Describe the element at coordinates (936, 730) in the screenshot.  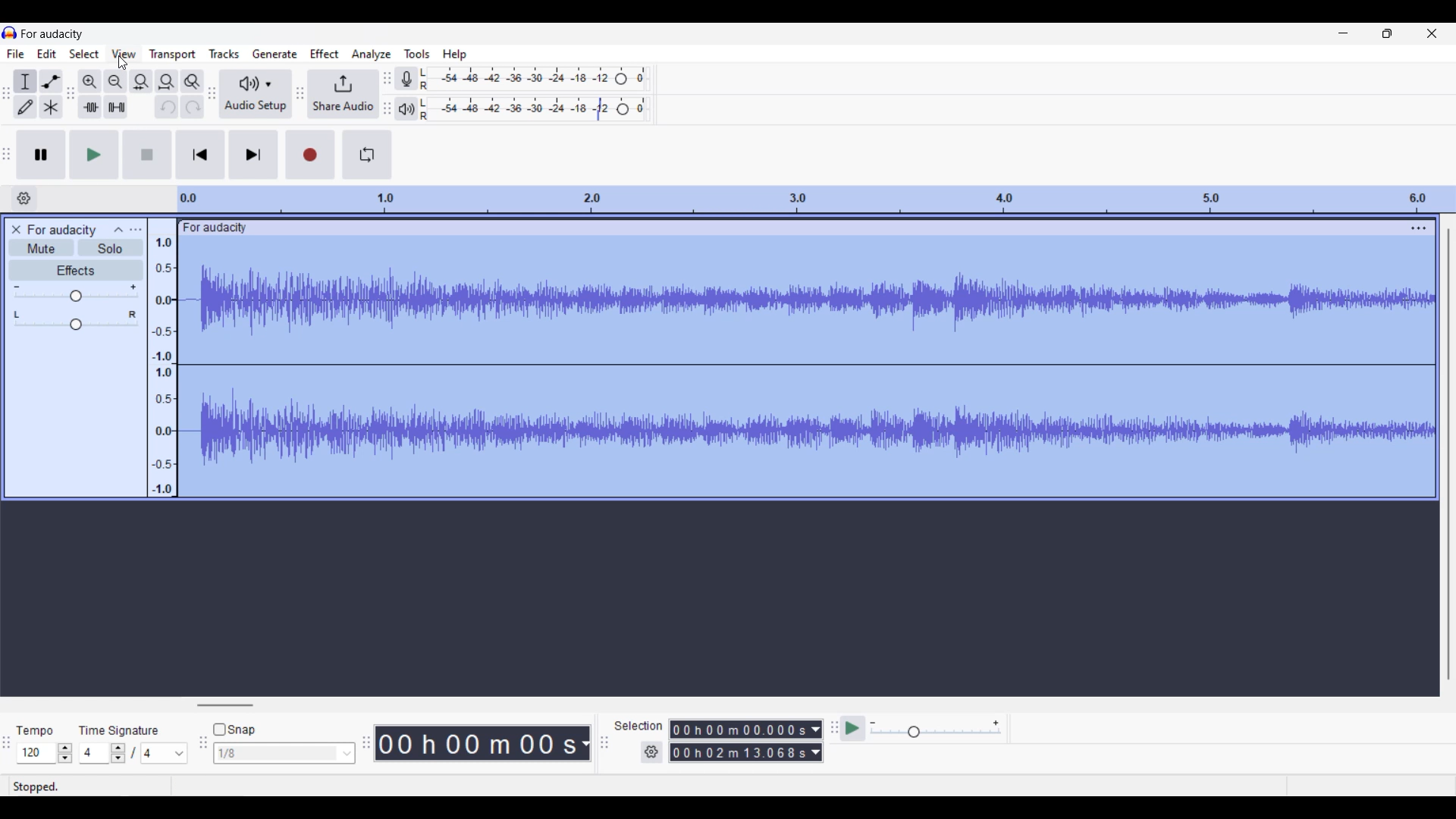
I see `Playback speed slider` at that location.